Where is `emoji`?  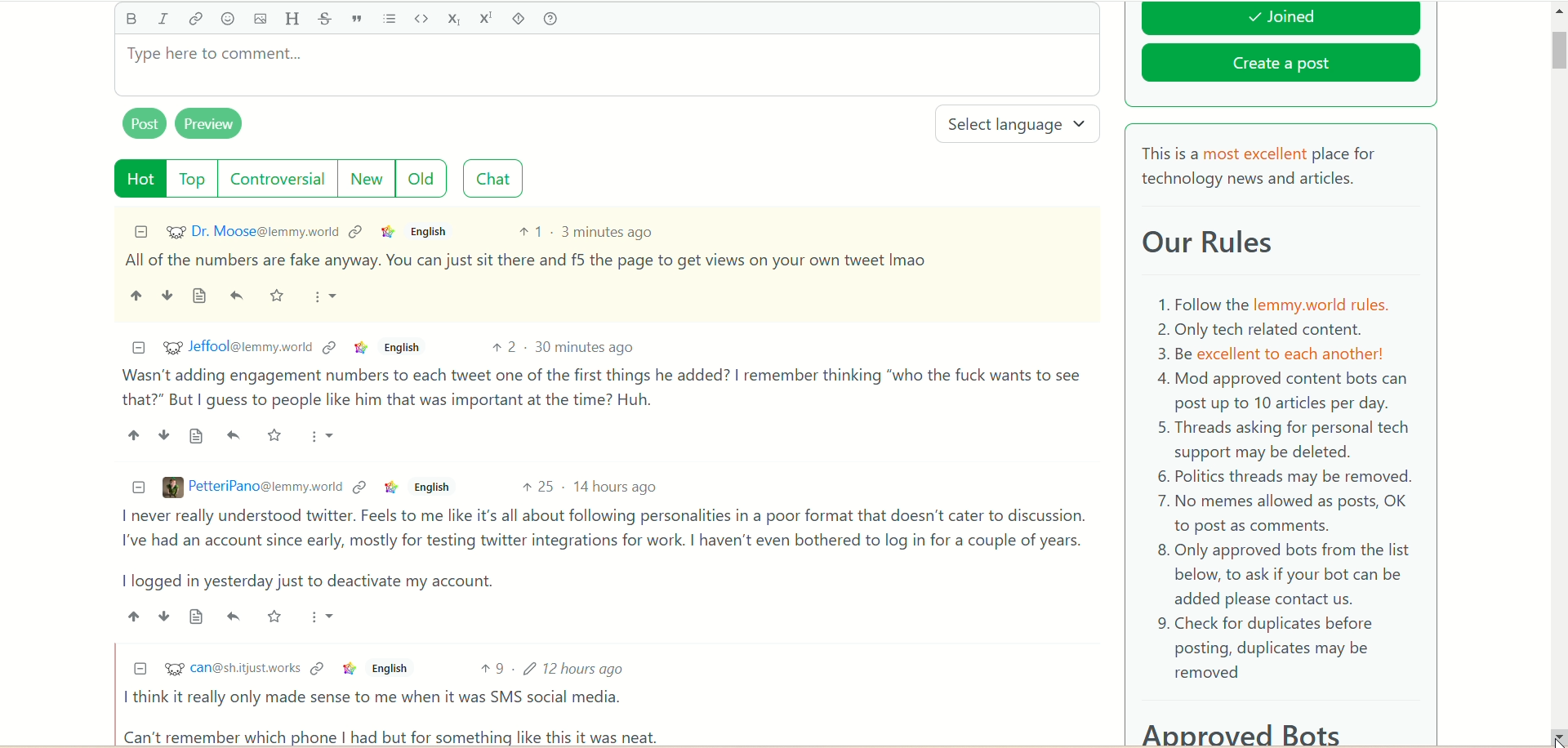 emoji is located at coordinates (228, 20).